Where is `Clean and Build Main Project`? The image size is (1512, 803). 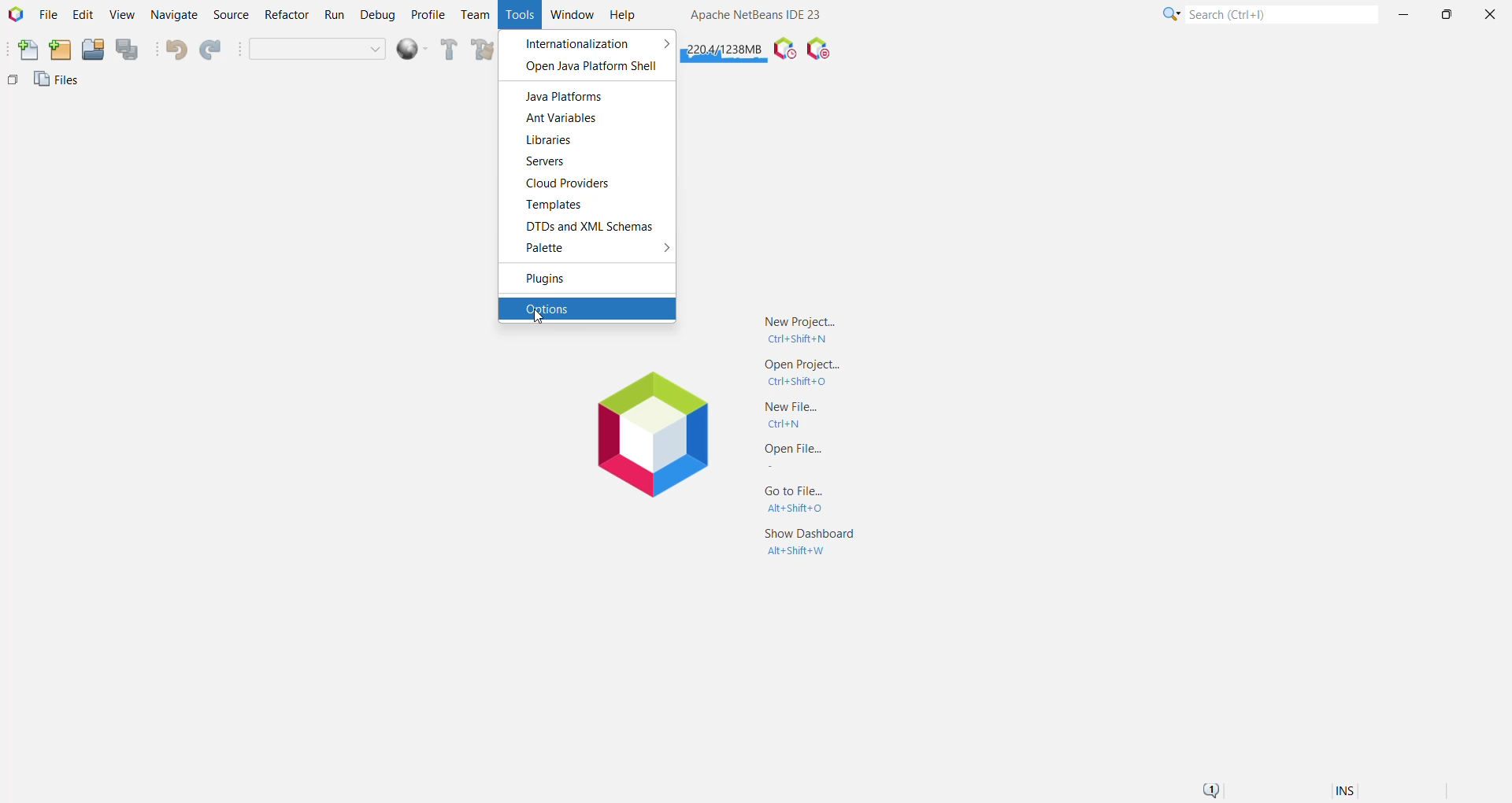 Clean and Build Main Project is located at coordinates (486, 51).